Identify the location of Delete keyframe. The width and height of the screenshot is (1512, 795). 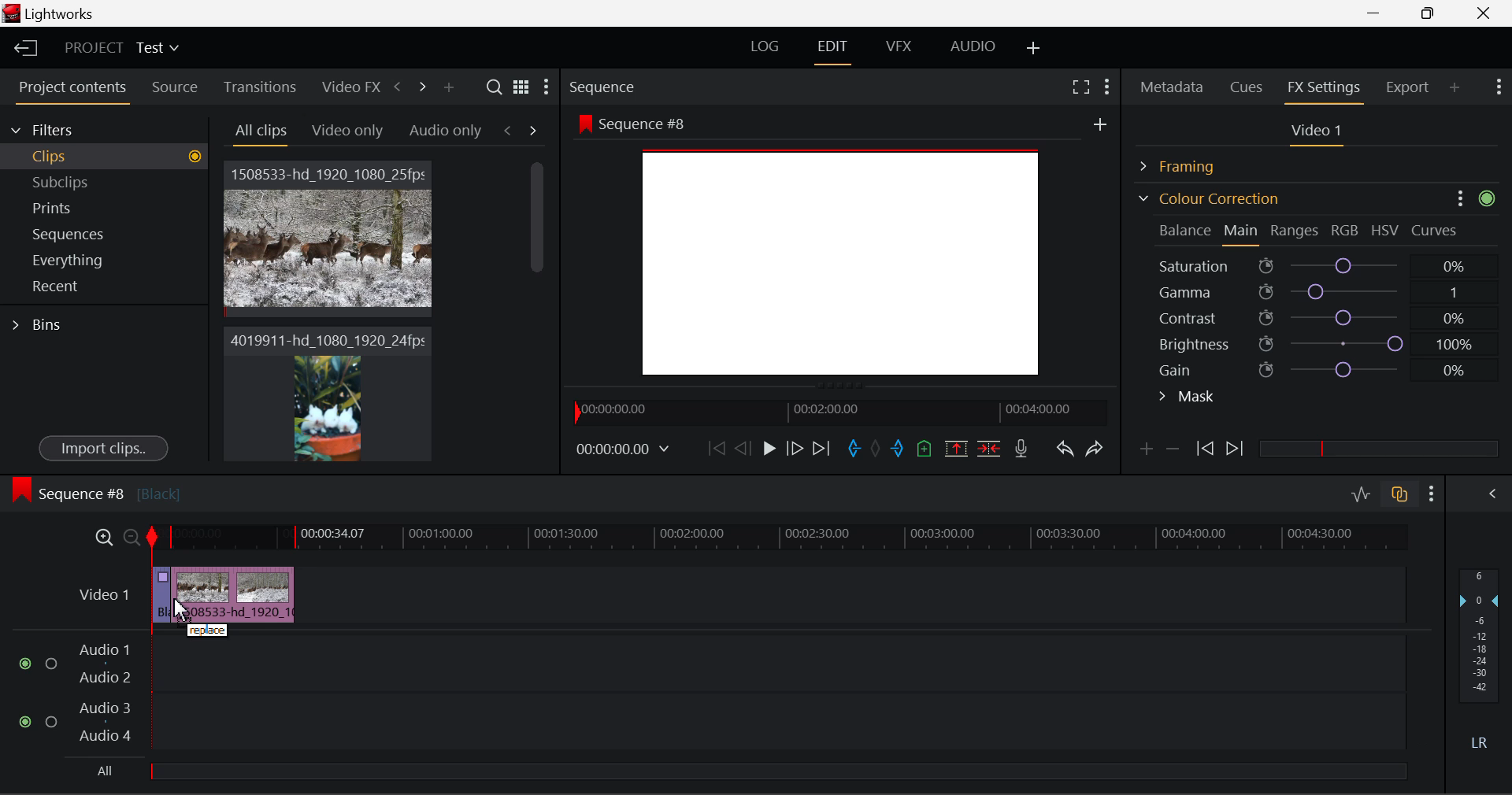
(1173, 452).